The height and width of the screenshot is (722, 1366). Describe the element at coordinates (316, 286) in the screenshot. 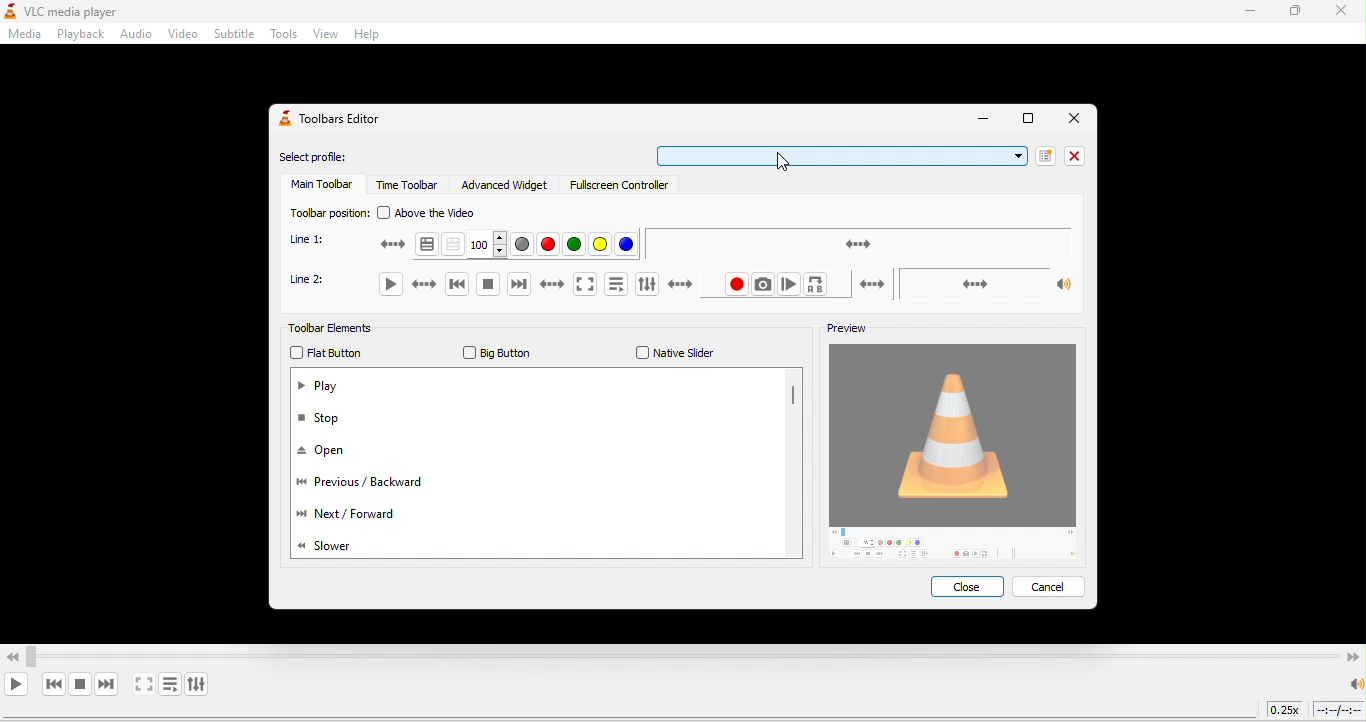

I see `line 2` at that location.